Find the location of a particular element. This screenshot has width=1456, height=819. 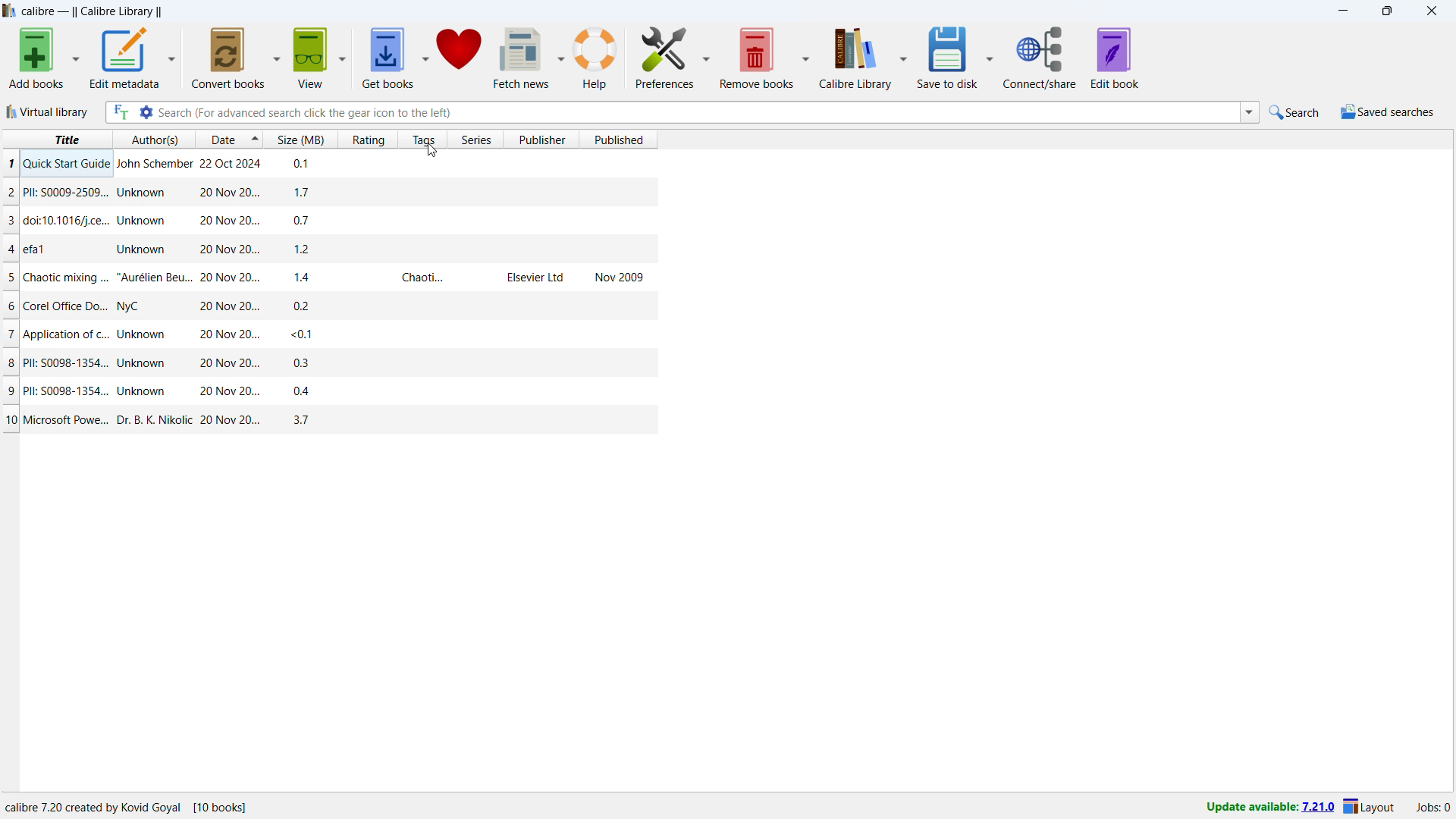

convert books options is located at coordinates (278, 56).